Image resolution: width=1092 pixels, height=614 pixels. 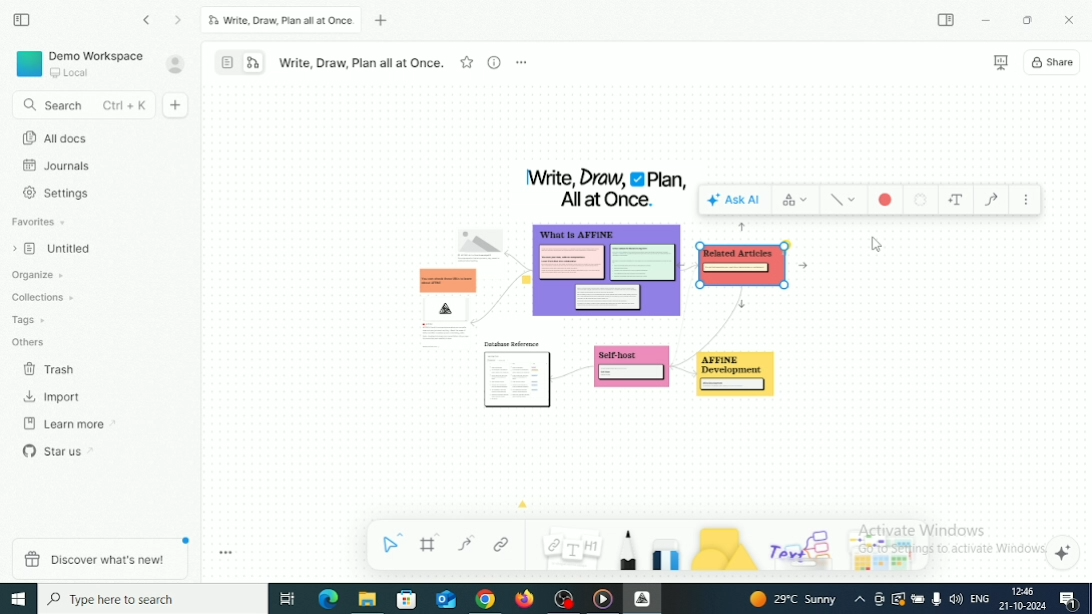 I want to click on File Explorer, so click(x=367, y=600).